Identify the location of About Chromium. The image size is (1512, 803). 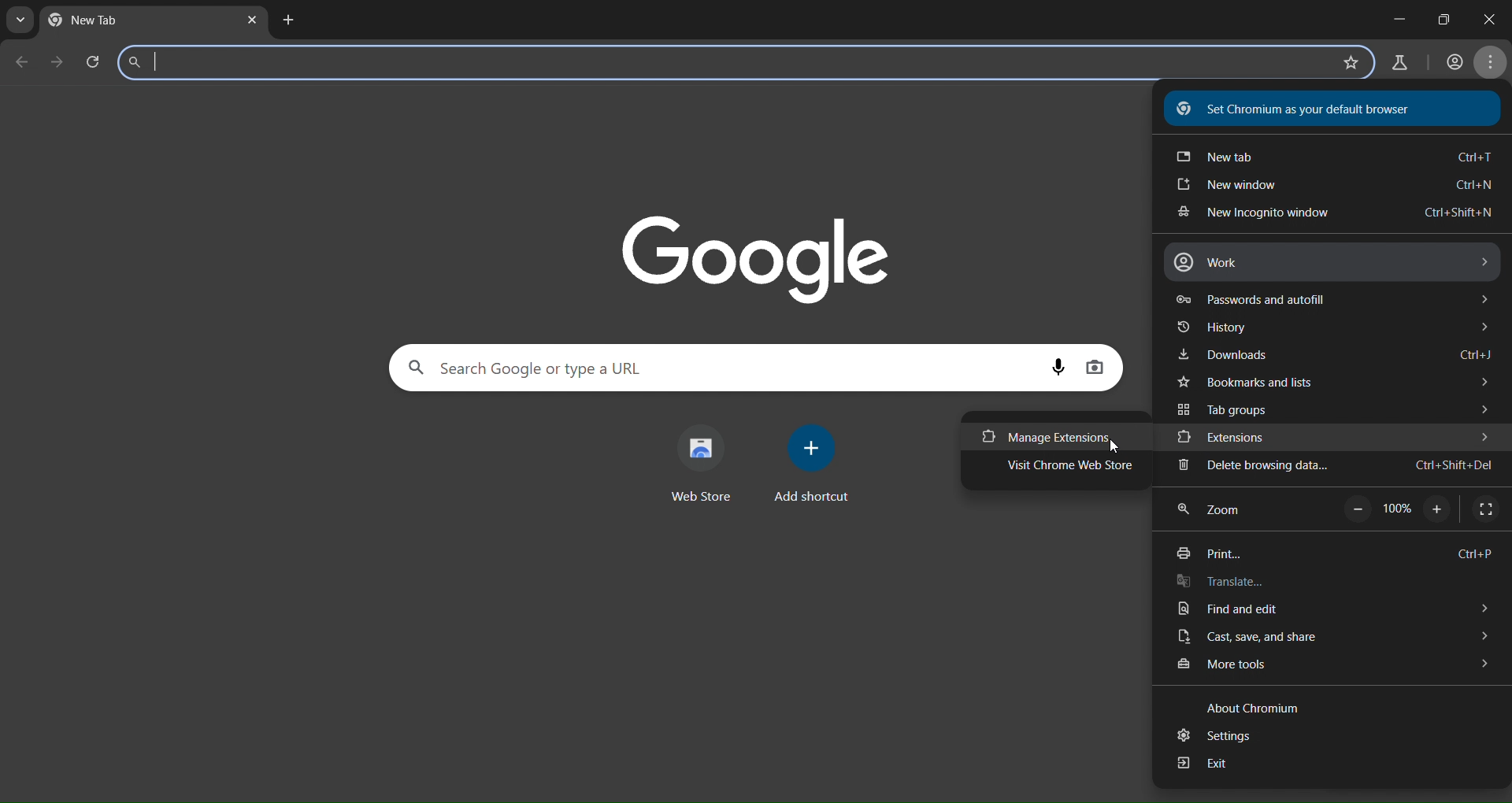
(1255, 708).